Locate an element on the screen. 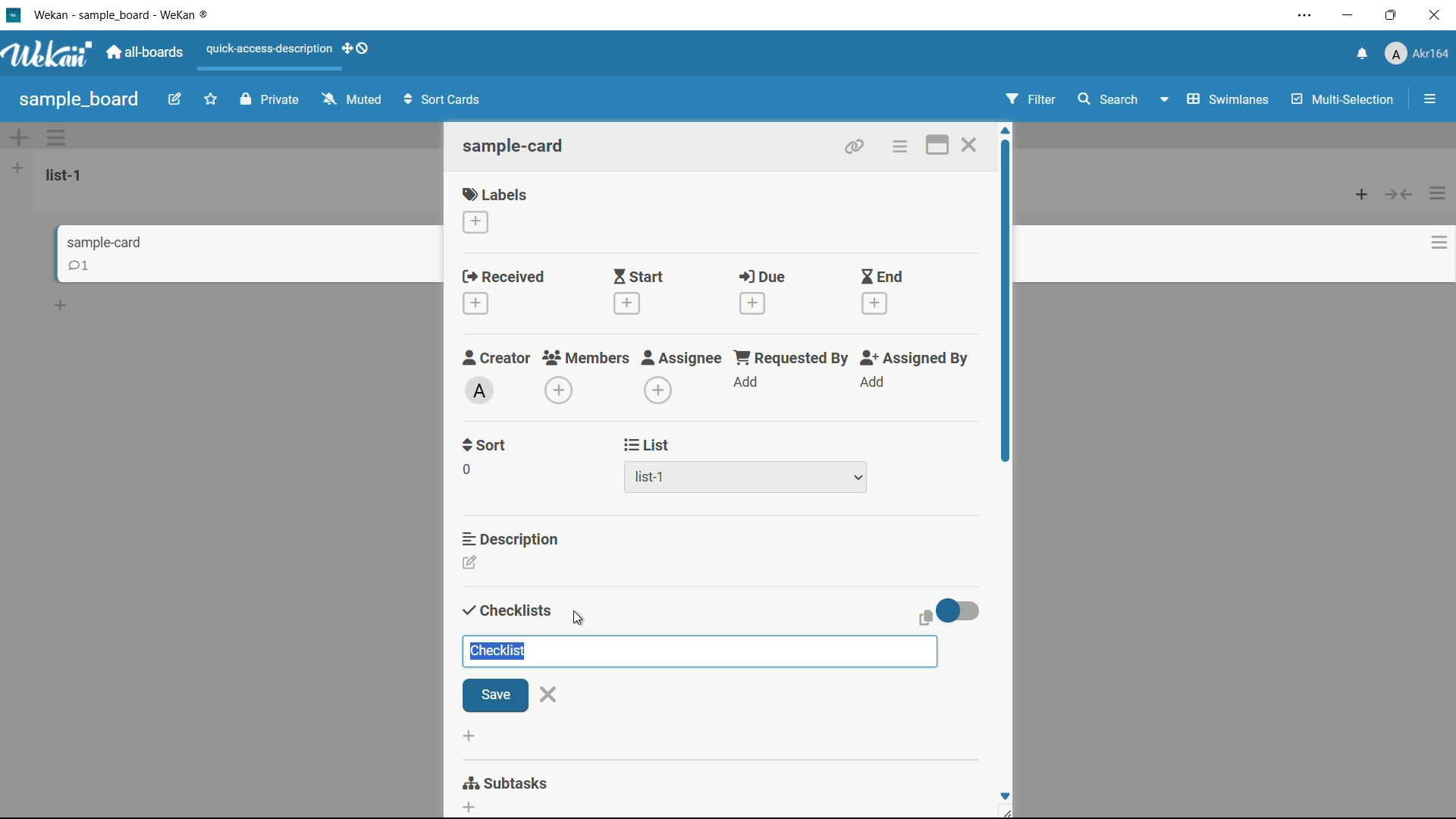  comments is located at coordinates (78, 267).